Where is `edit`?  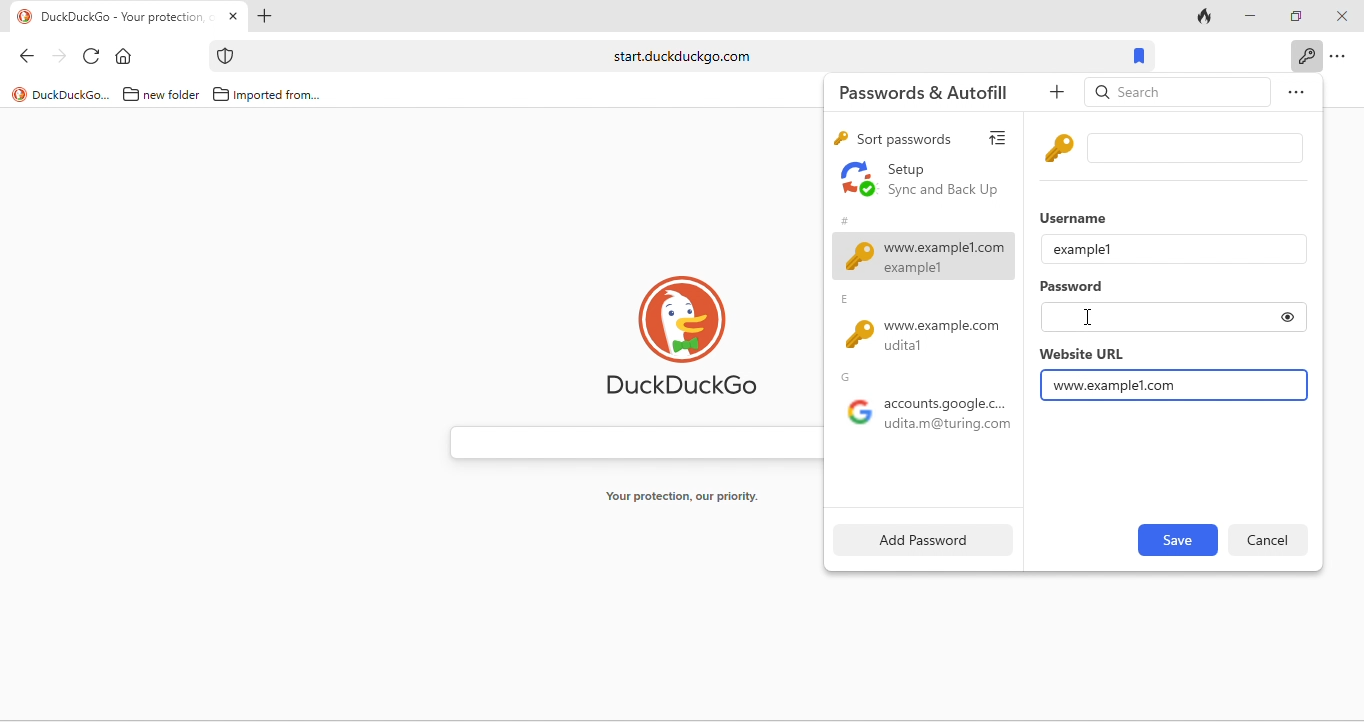 edit is located at coordinates (1176, 540).